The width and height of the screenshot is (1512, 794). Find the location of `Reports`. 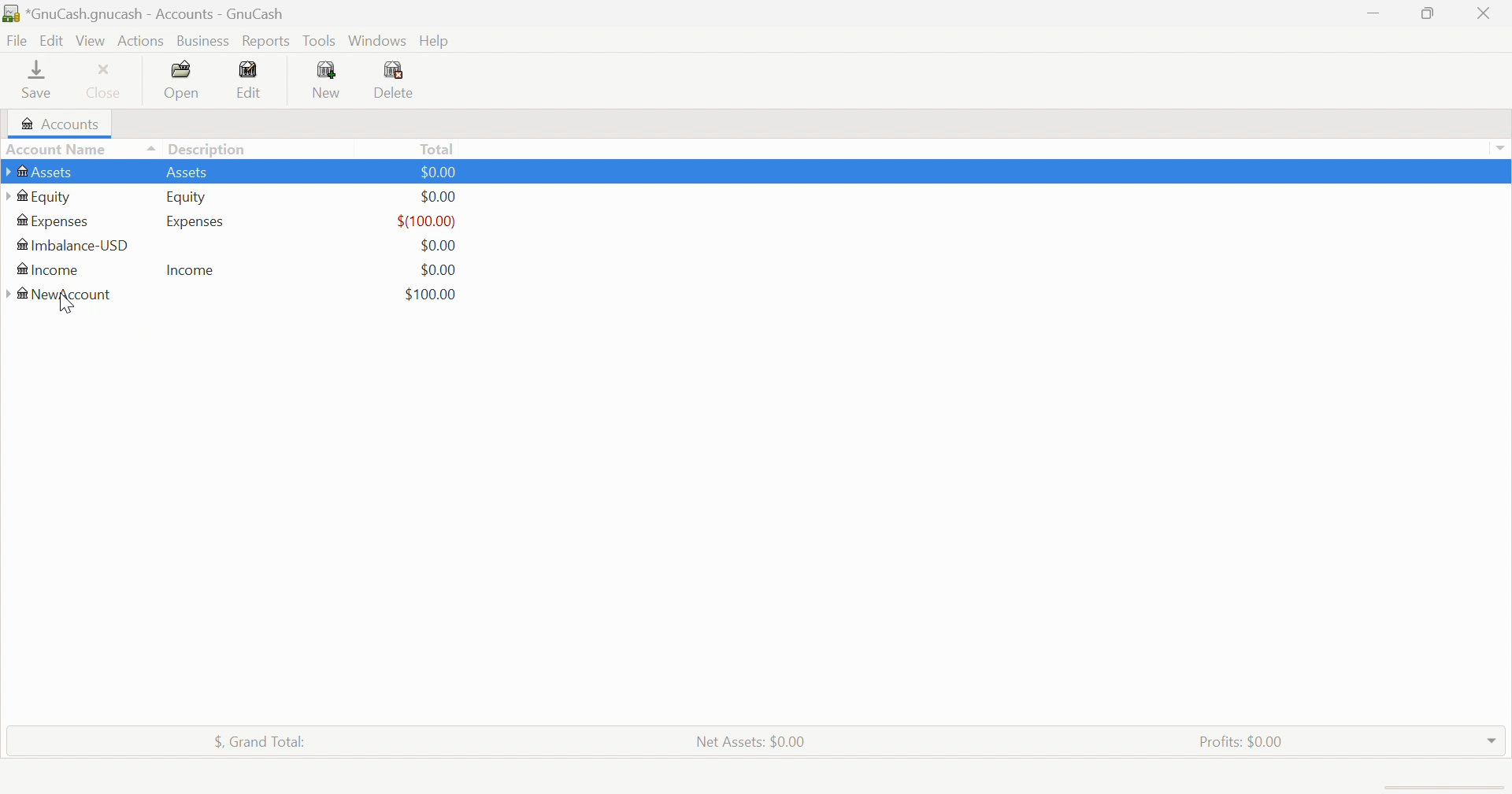

Reports is located at coordinates (266, 42).